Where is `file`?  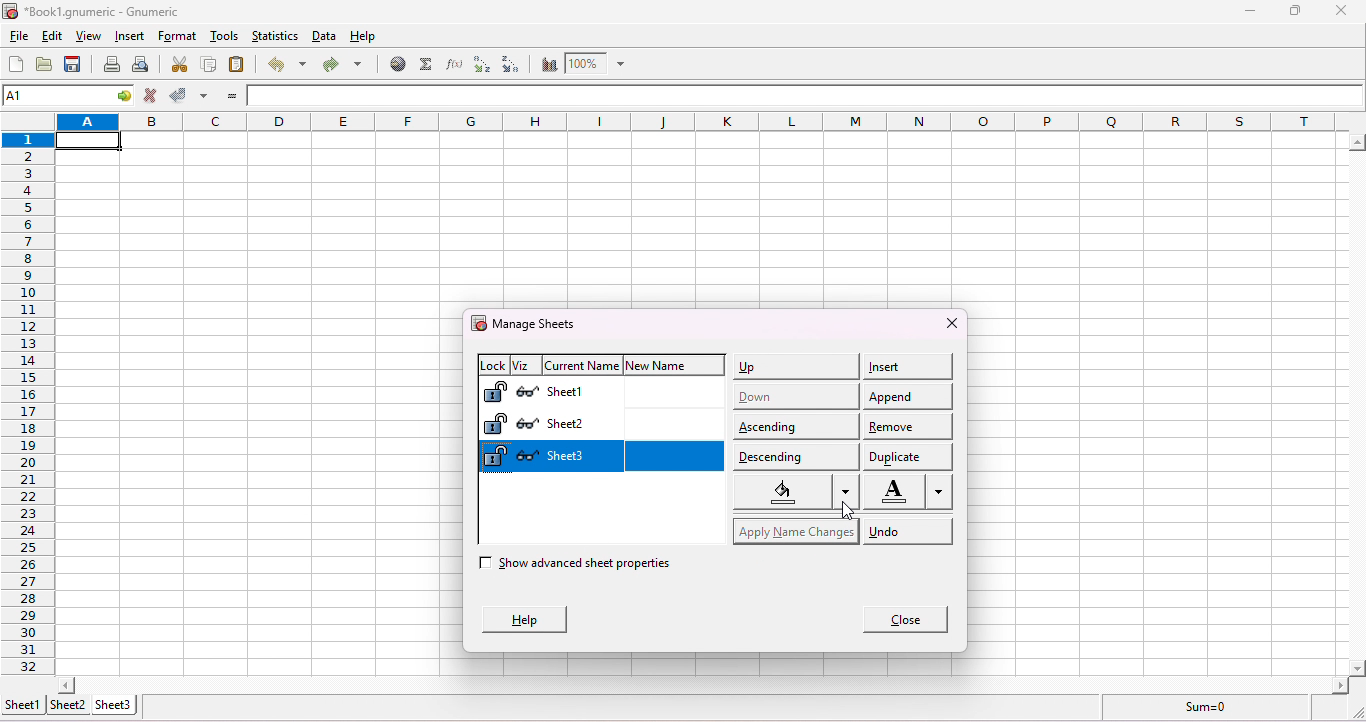 file is located at coordinates (18, 35).